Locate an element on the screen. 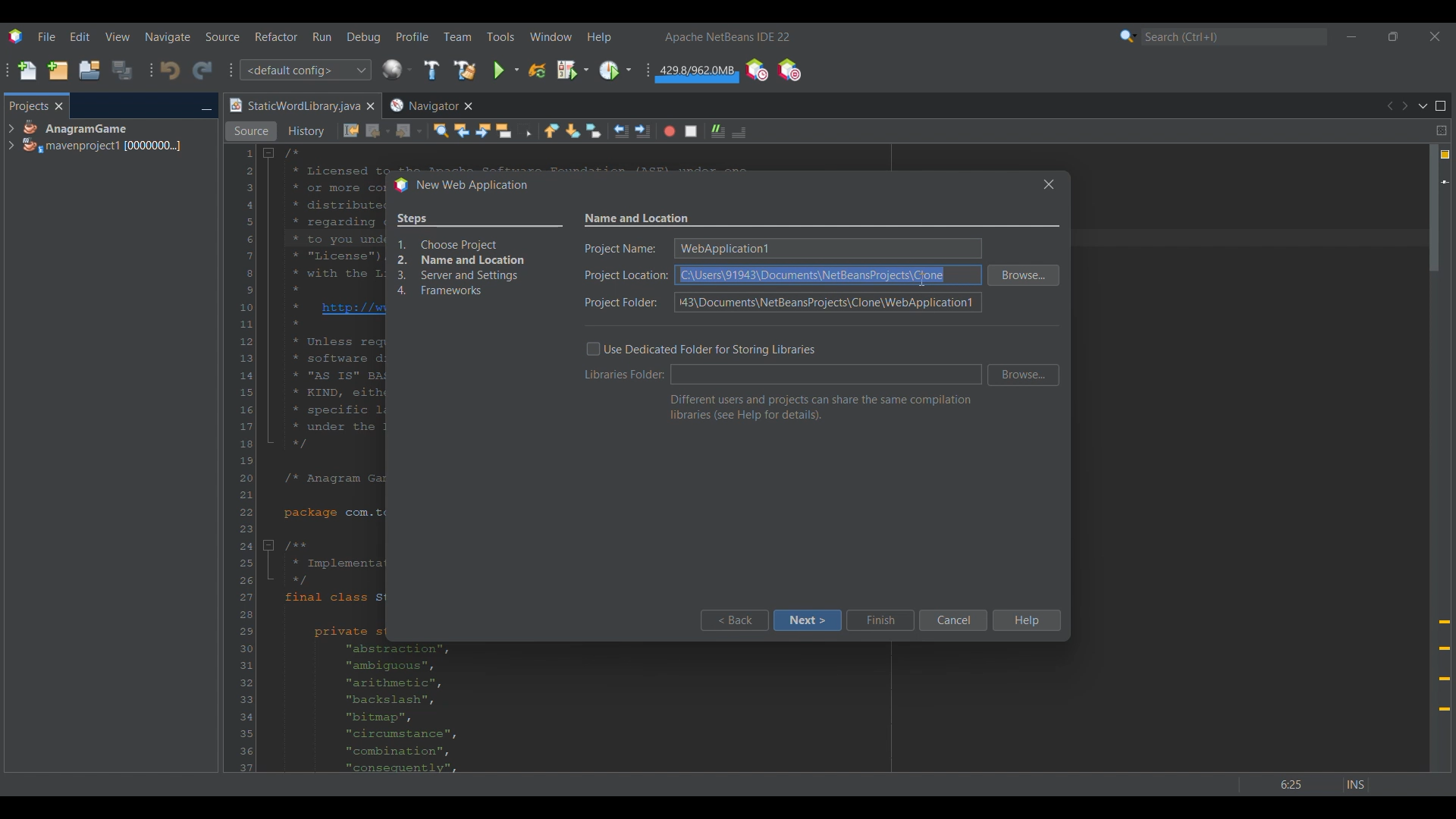 The image size is (1456, 819). New file is located at coordinates (27, 71).